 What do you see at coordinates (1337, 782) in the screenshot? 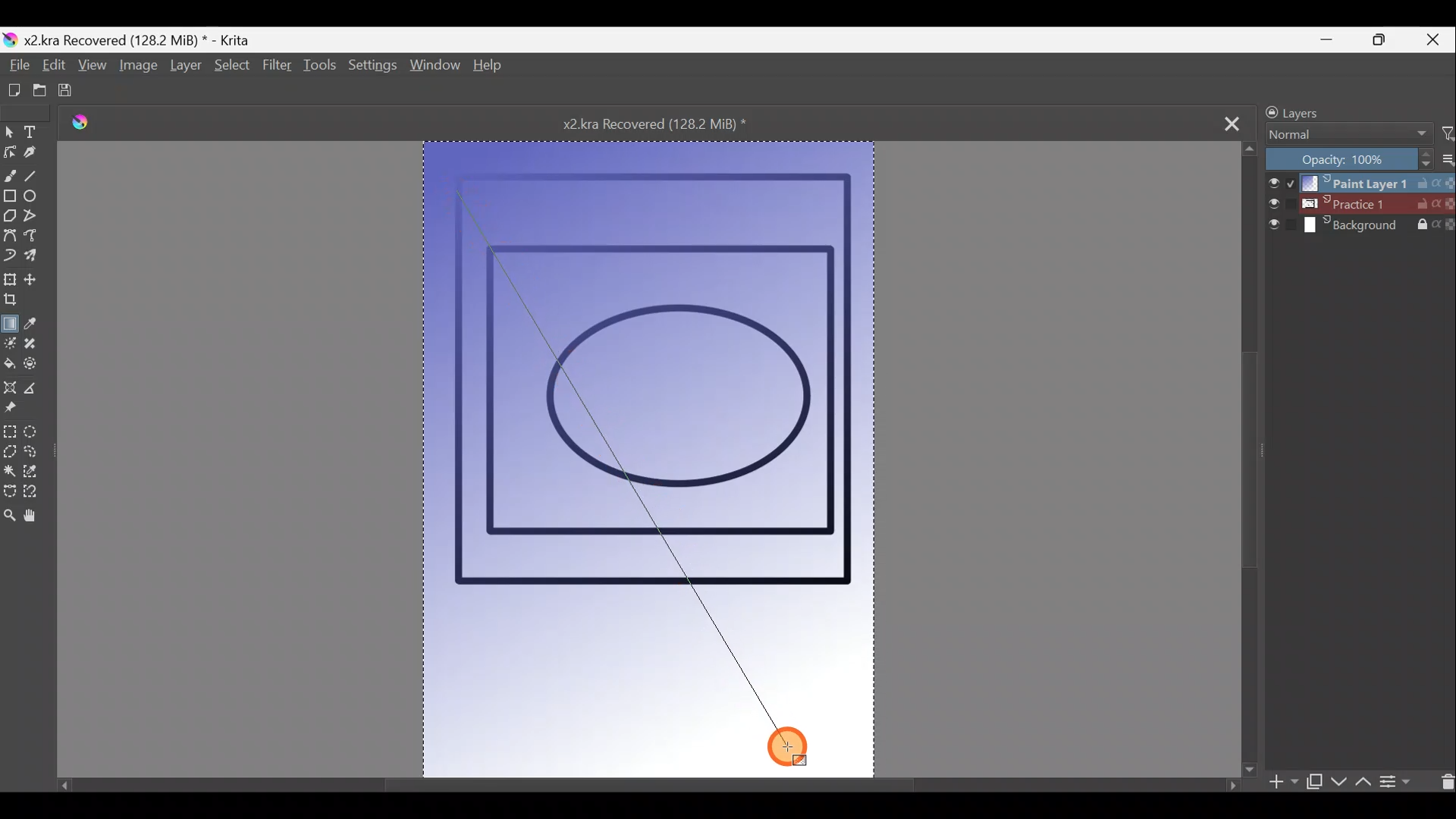
I see `Move layer/mask down` at bounding box center [1337, 782].